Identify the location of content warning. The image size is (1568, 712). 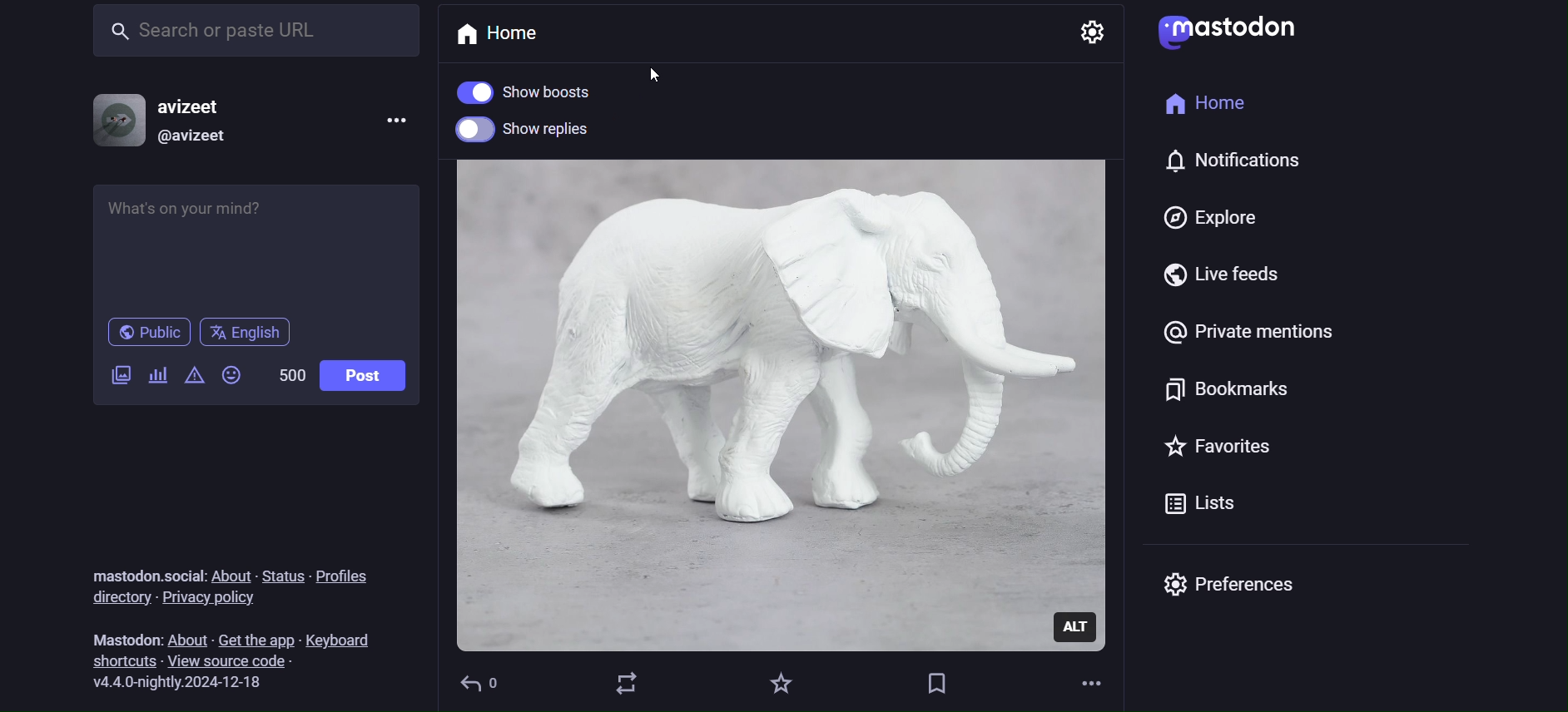
(193, 378).